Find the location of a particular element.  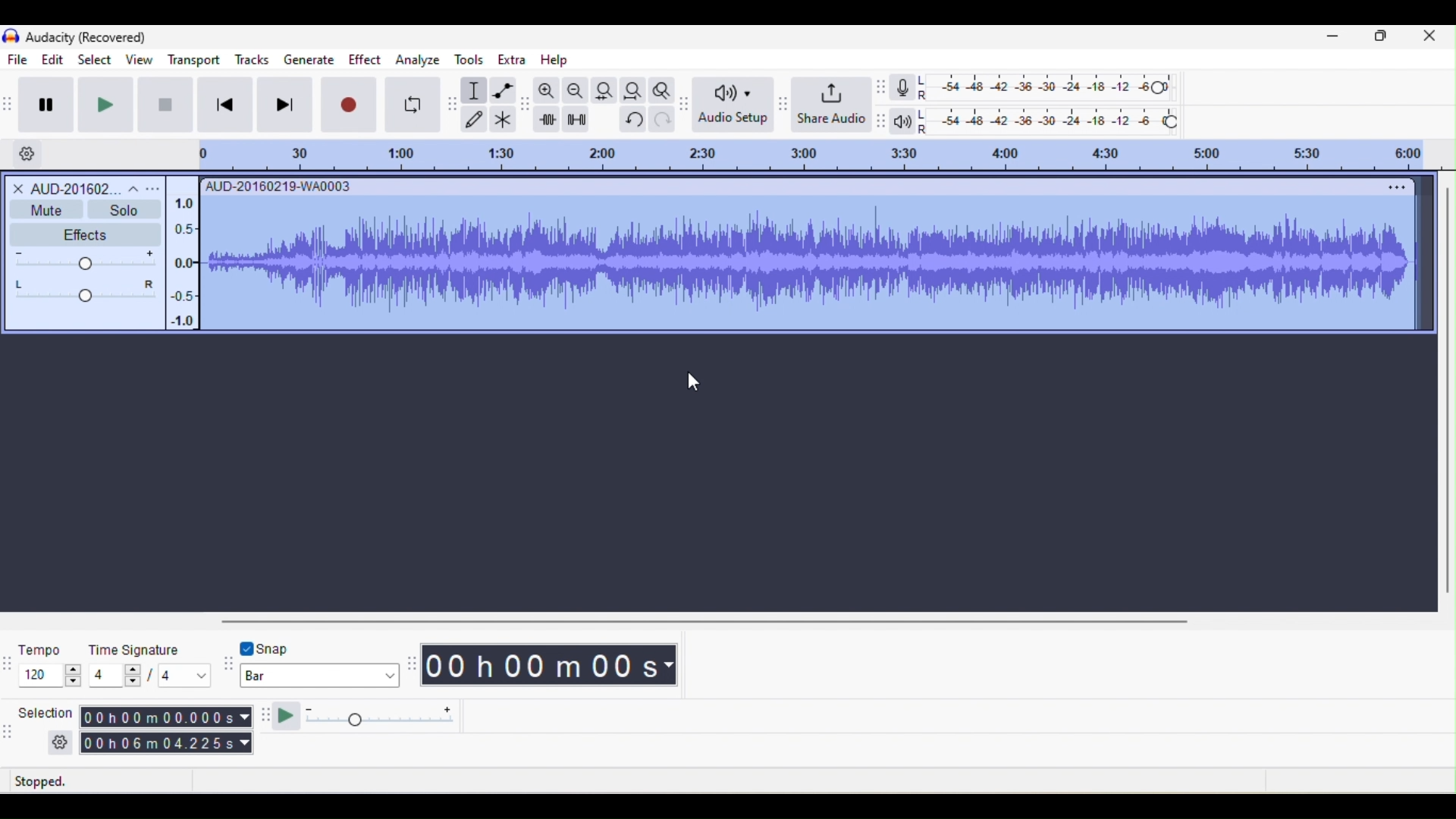

stopped is located at coordinates (61, 780).